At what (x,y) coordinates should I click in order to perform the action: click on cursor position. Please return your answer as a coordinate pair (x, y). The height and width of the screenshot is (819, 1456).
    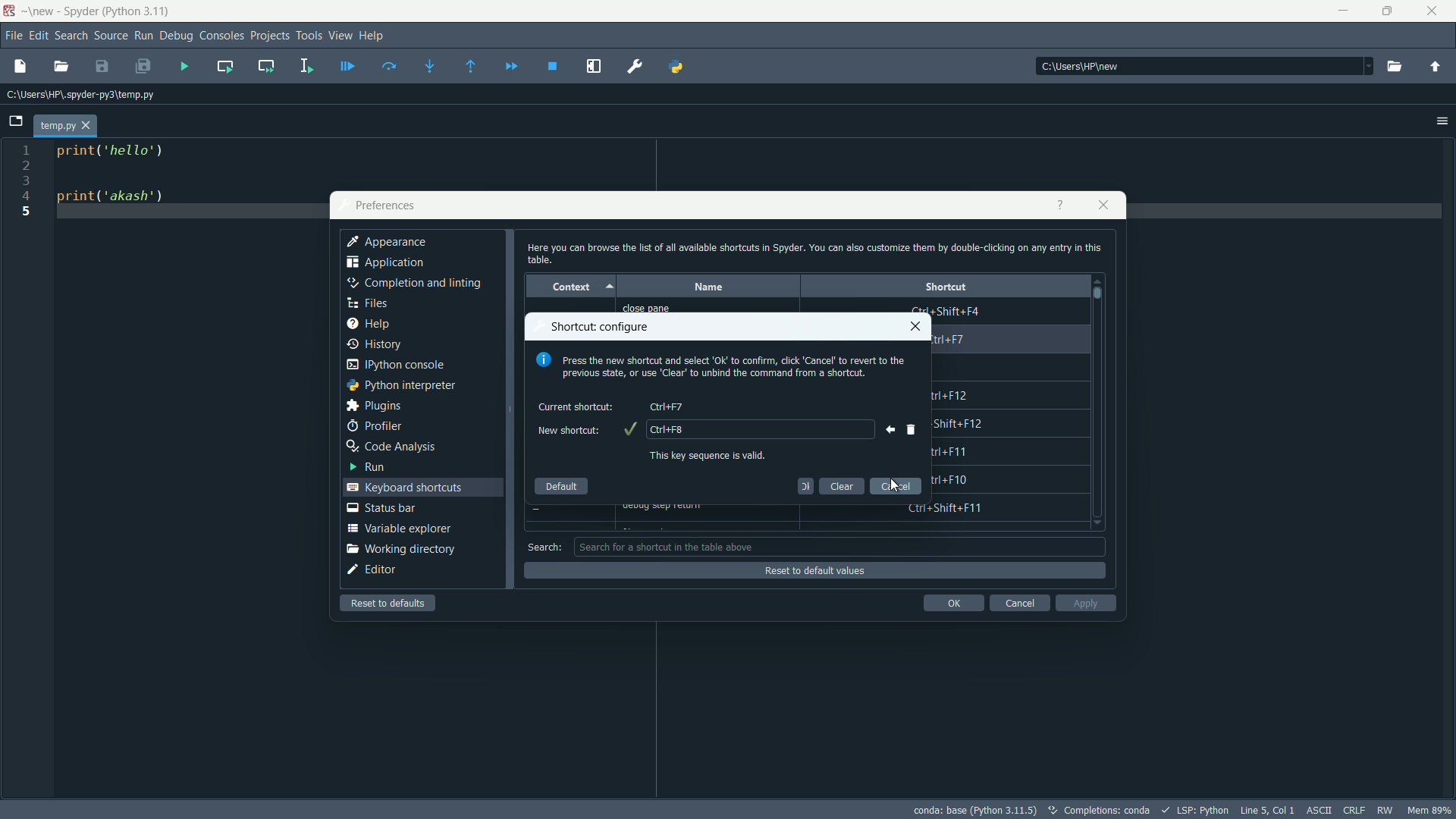
    Looking at the image, I should click on (1266, 808).